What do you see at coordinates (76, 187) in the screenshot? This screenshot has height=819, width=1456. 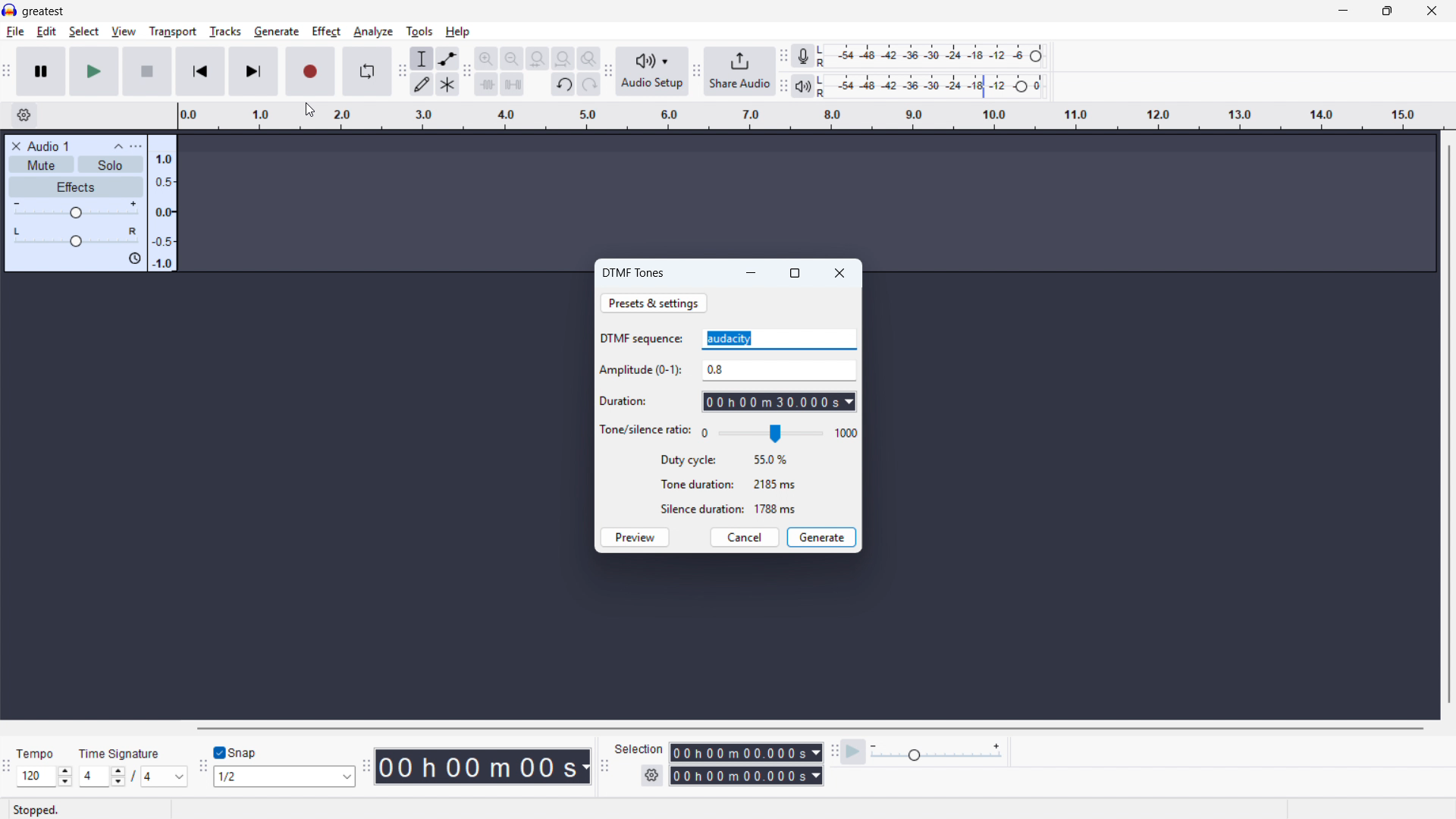 I see `Effects ` at bounding box center [76, 187].